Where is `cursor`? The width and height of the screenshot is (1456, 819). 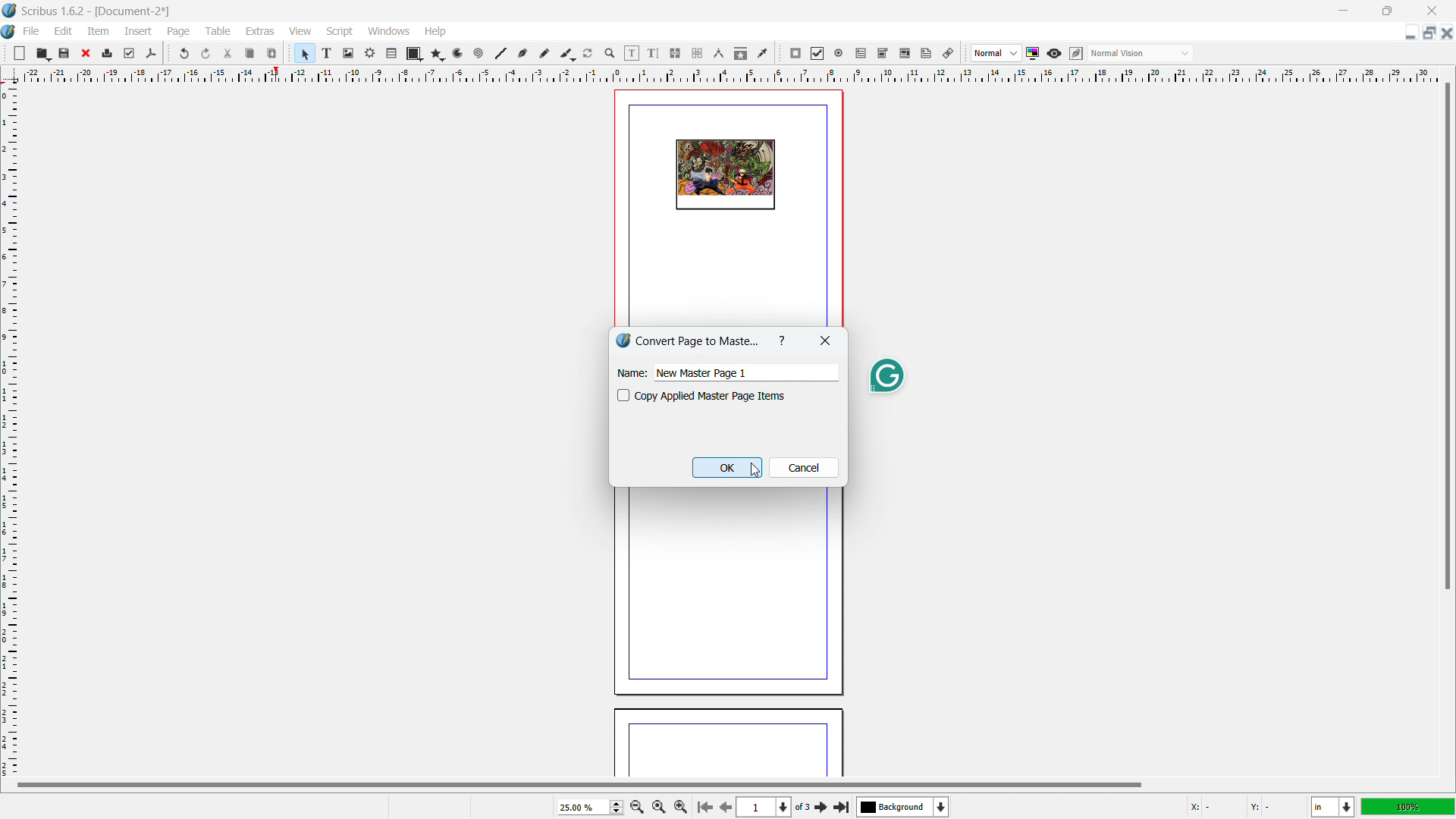
cursor is located at coordinates (753, 469).